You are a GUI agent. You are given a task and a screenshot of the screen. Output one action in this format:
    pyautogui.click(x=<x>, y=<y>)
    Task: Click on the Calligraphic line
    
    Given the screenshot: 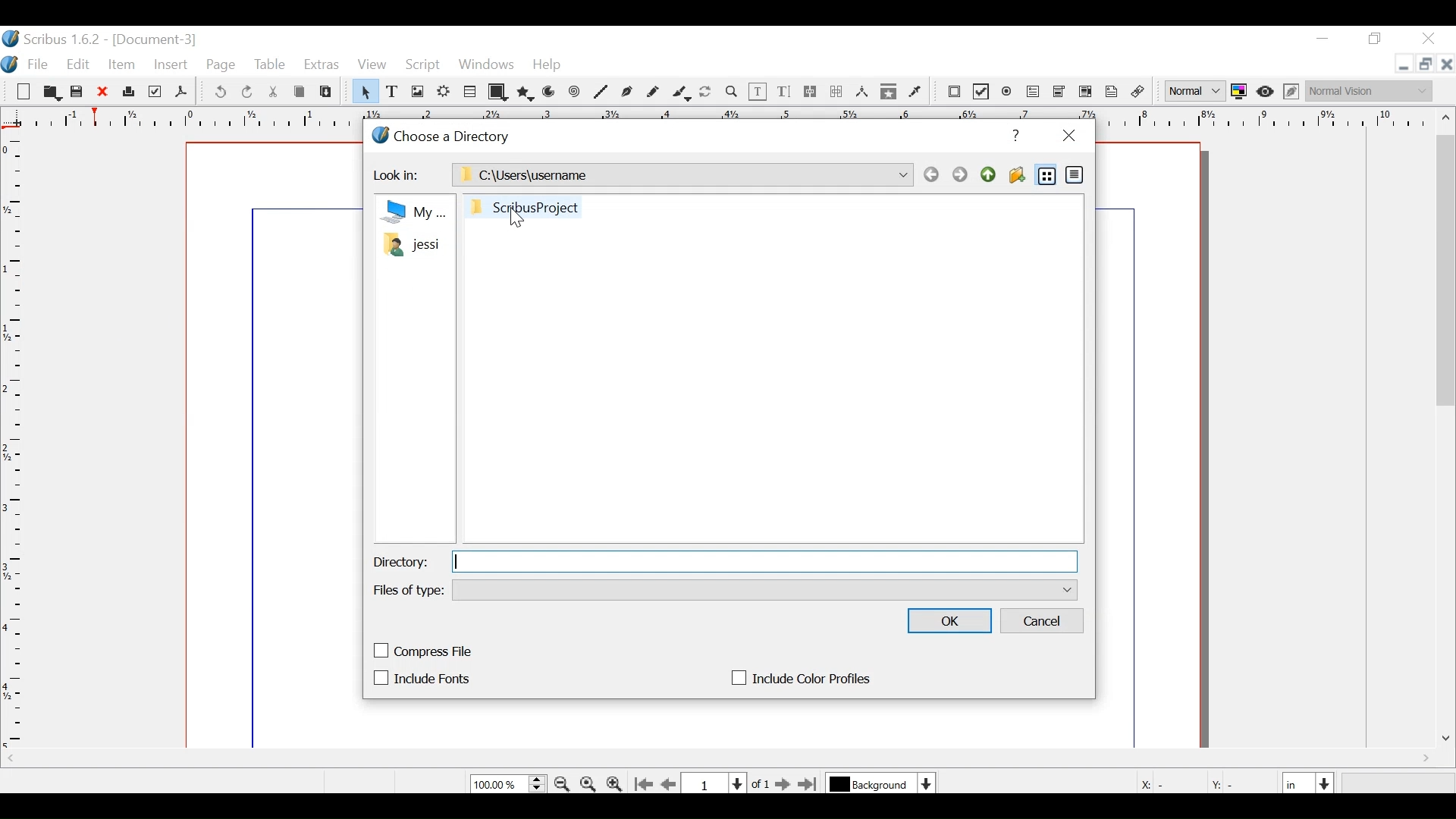 What is the action you would take?
    pyautogui.click(x=682, y=93)
    